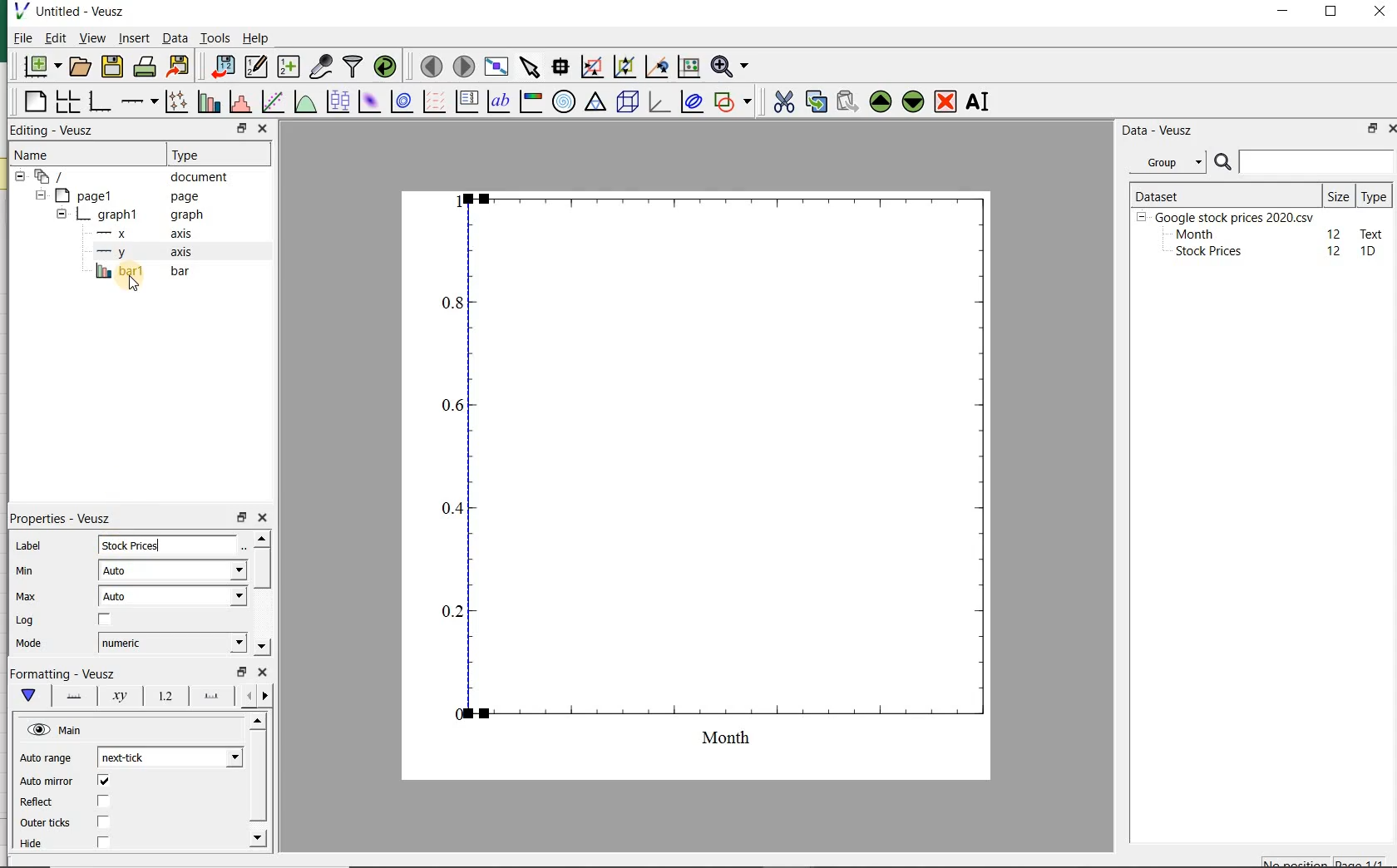 This screenshot has width=1397, height=868. I want to click on zoom function menus, so click(733, 67).